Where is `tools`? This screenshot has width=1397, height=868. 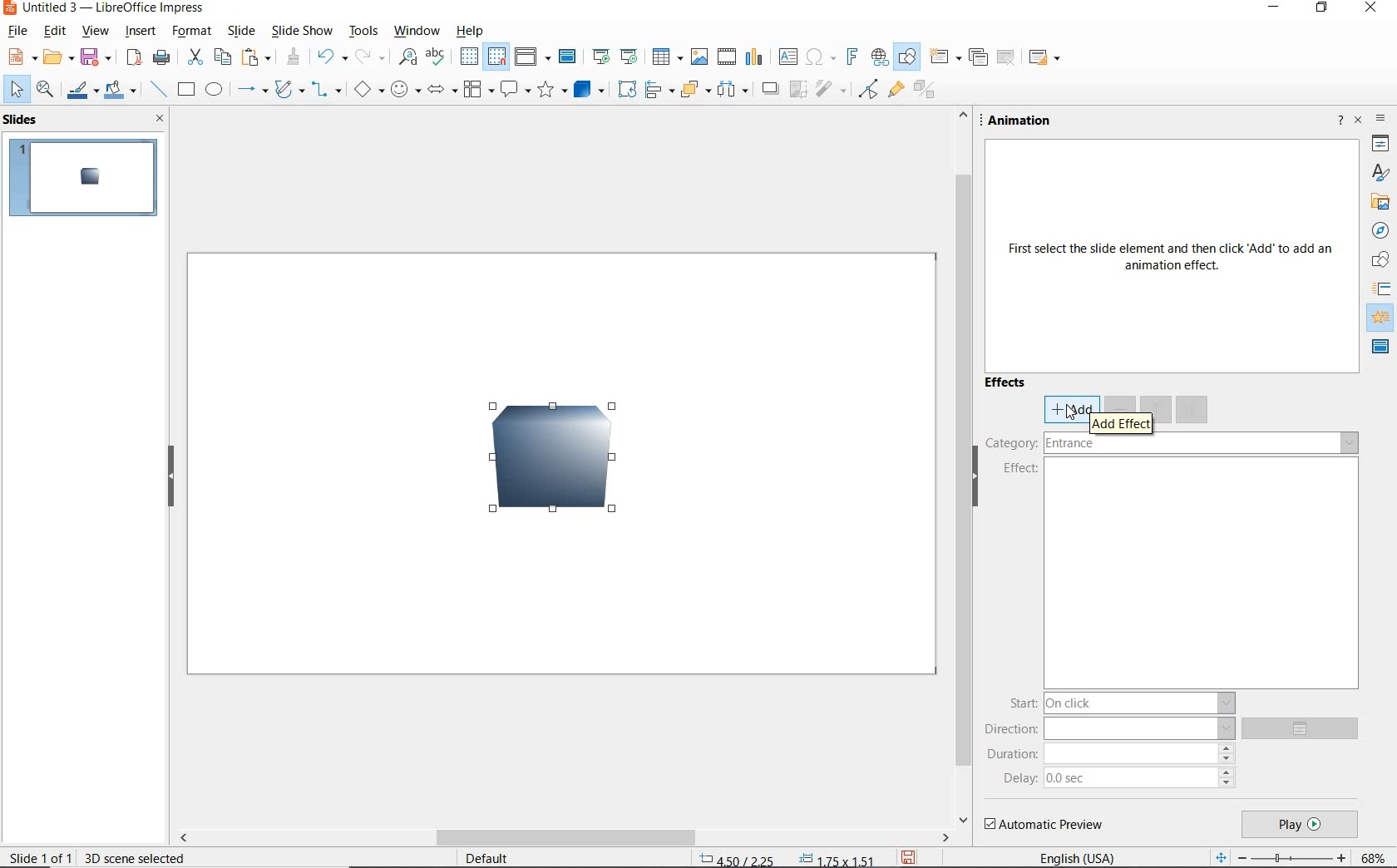 tools is located at coordinates (363, 31).